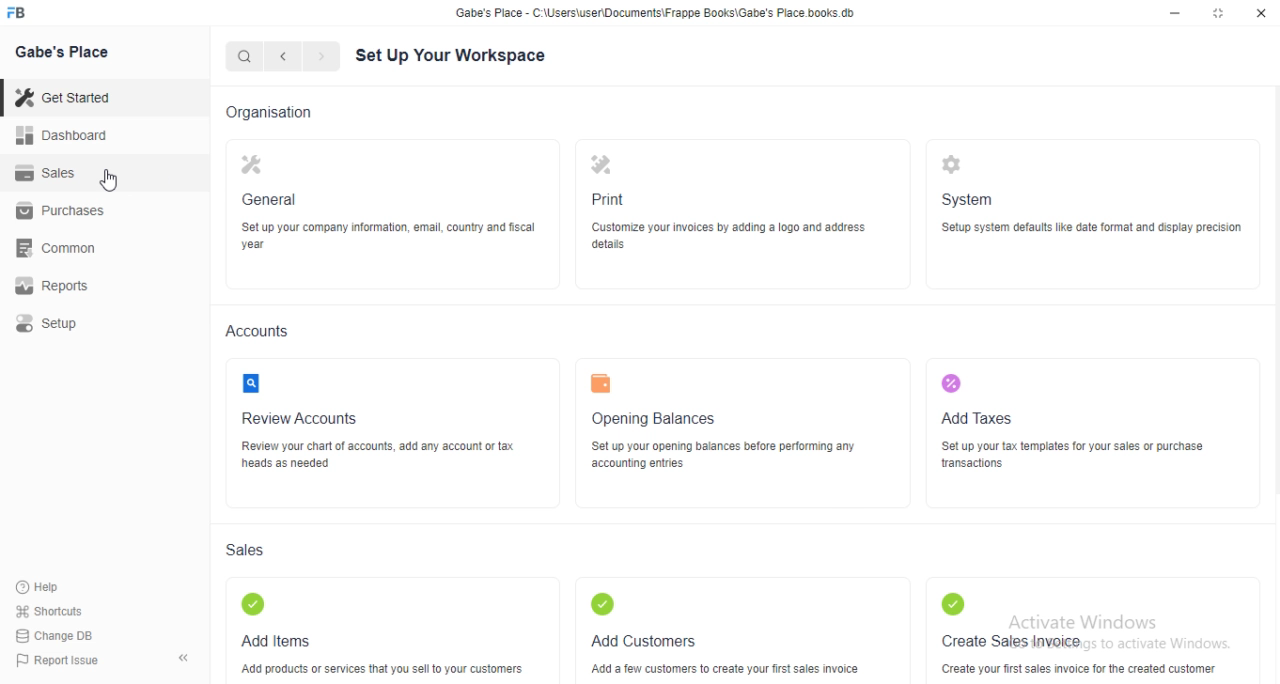 The height and width of the screenshot is (684, 1280). Describe the element at coordinates (251, 164) in the screenshot. I see `general settings logo` at that location.